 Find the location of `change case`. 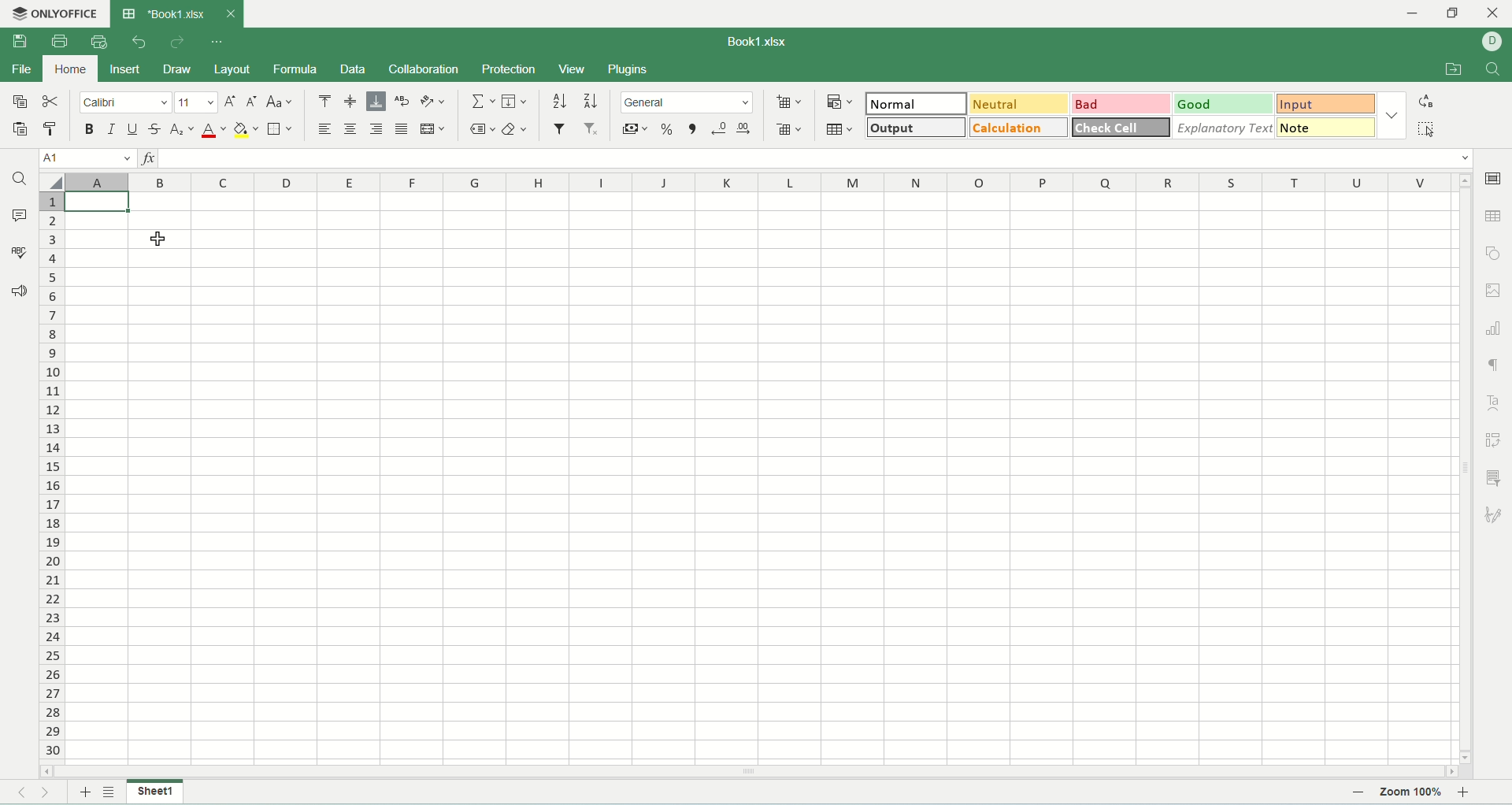

change case is located at coordinates (281, 103).